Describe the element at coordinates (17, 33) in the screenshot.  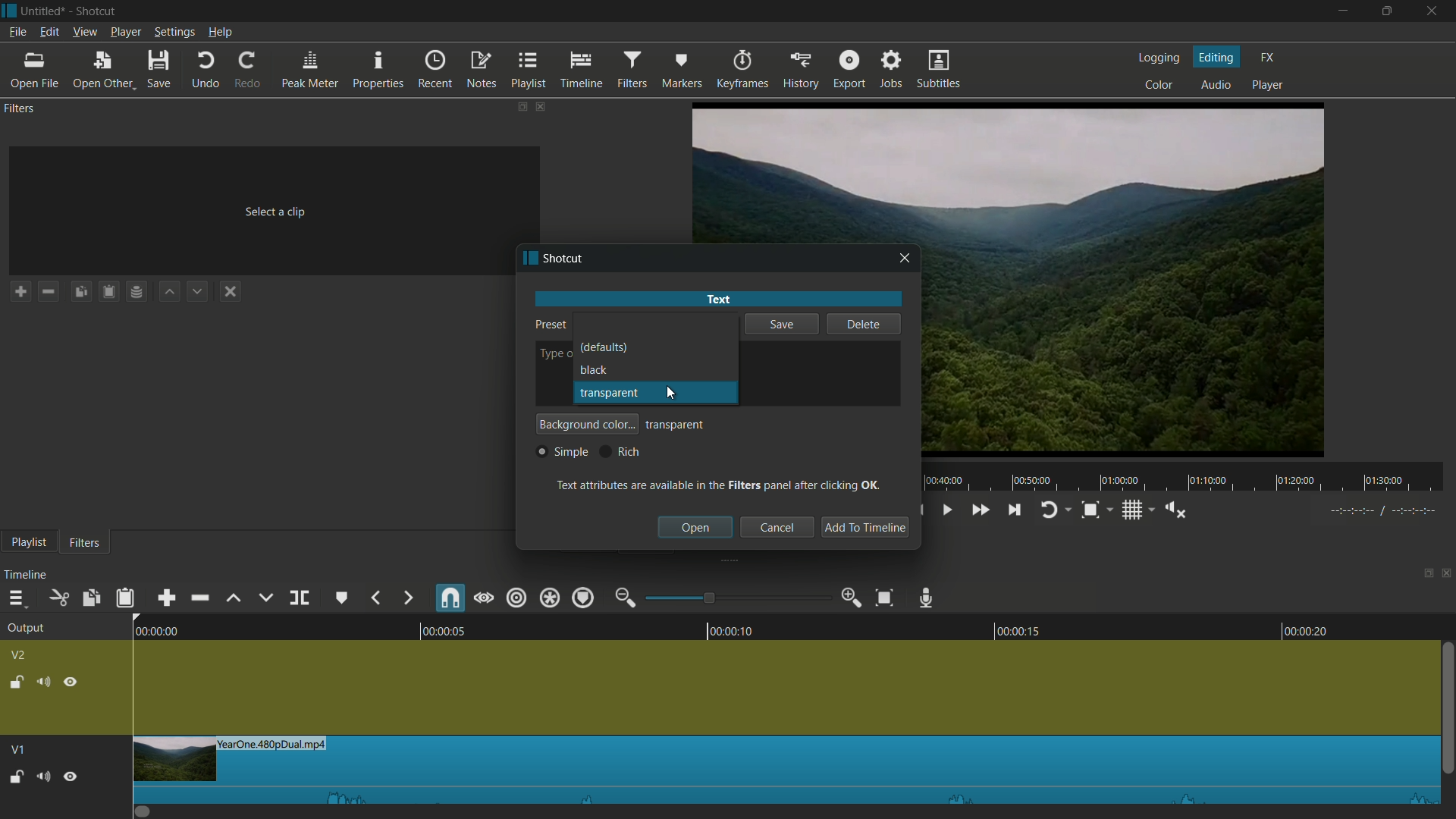
I see `file menu` at that location.